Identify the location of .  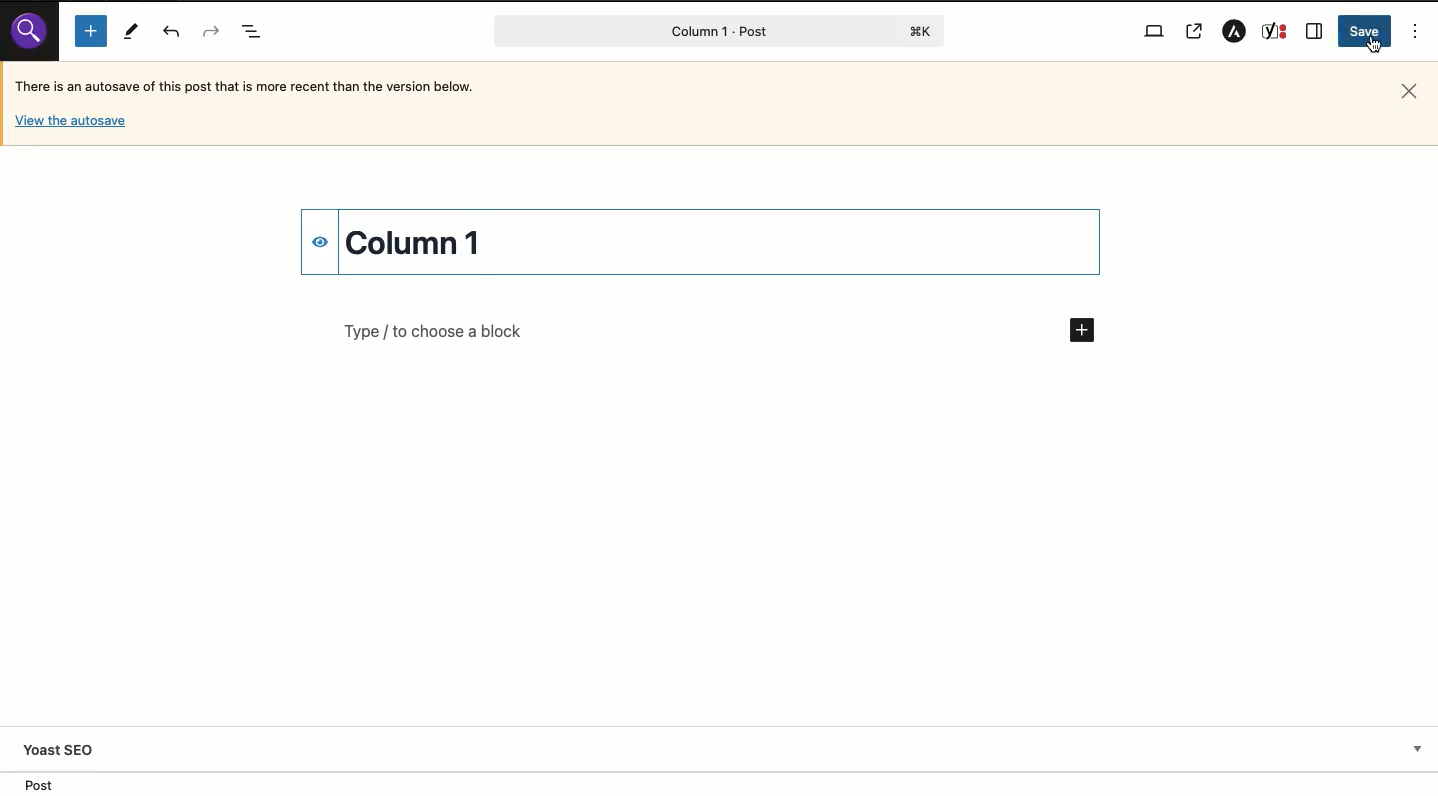
(131, 31).